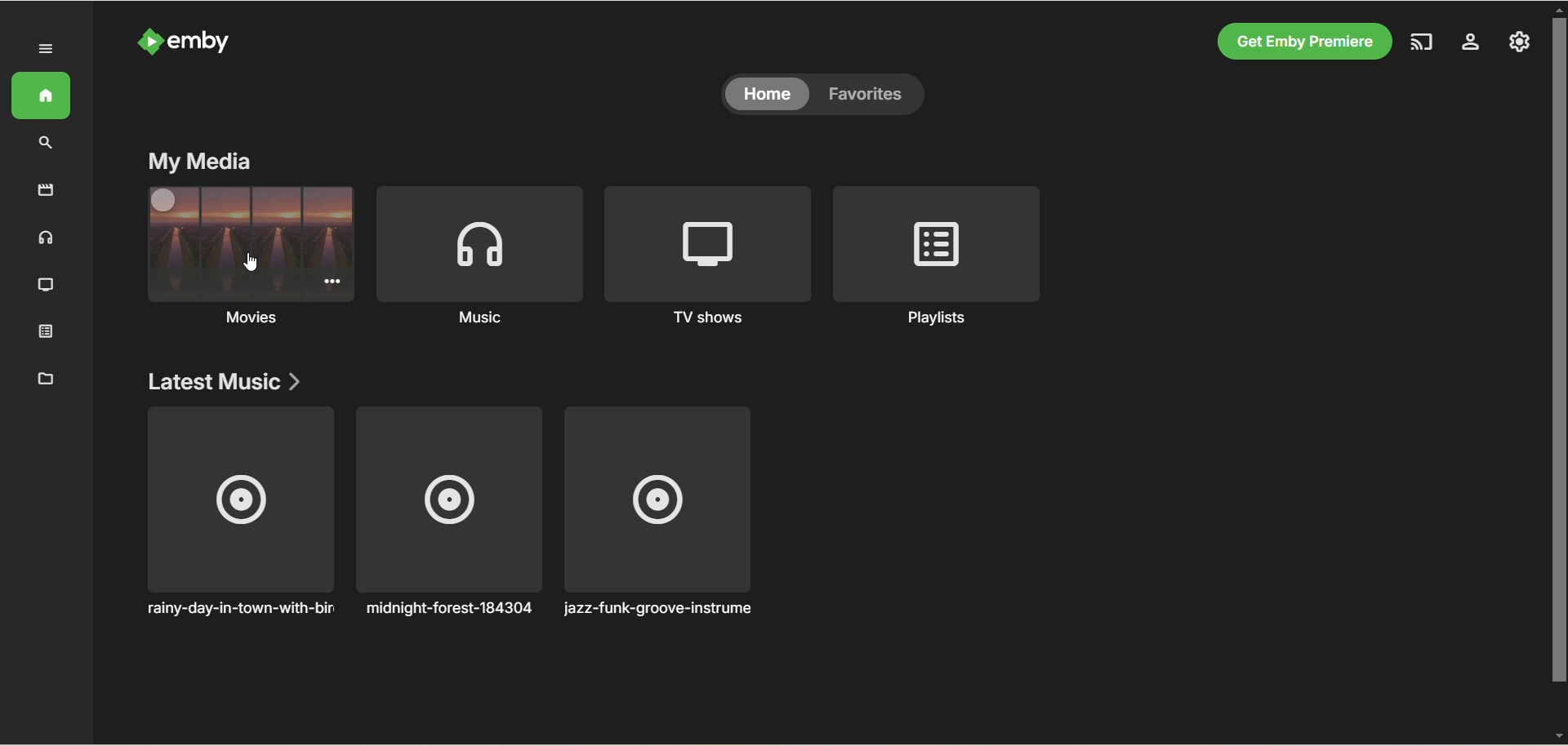  What do you see at coordinates (47, 143) in the screenshot?
I see `search` at bounding box center [47, 143].